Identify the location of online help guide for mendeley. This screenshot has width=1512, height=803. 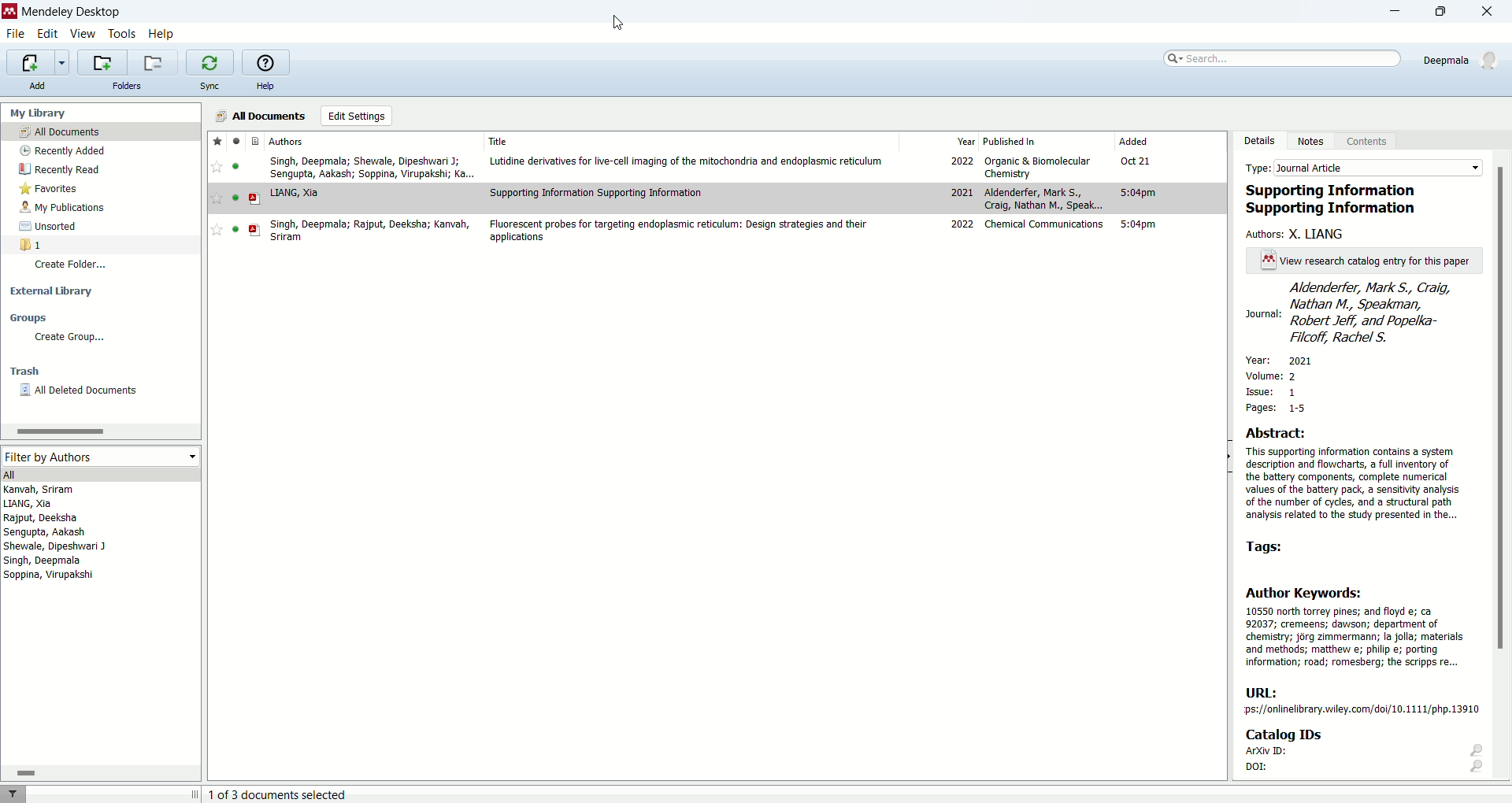
(266, 61).